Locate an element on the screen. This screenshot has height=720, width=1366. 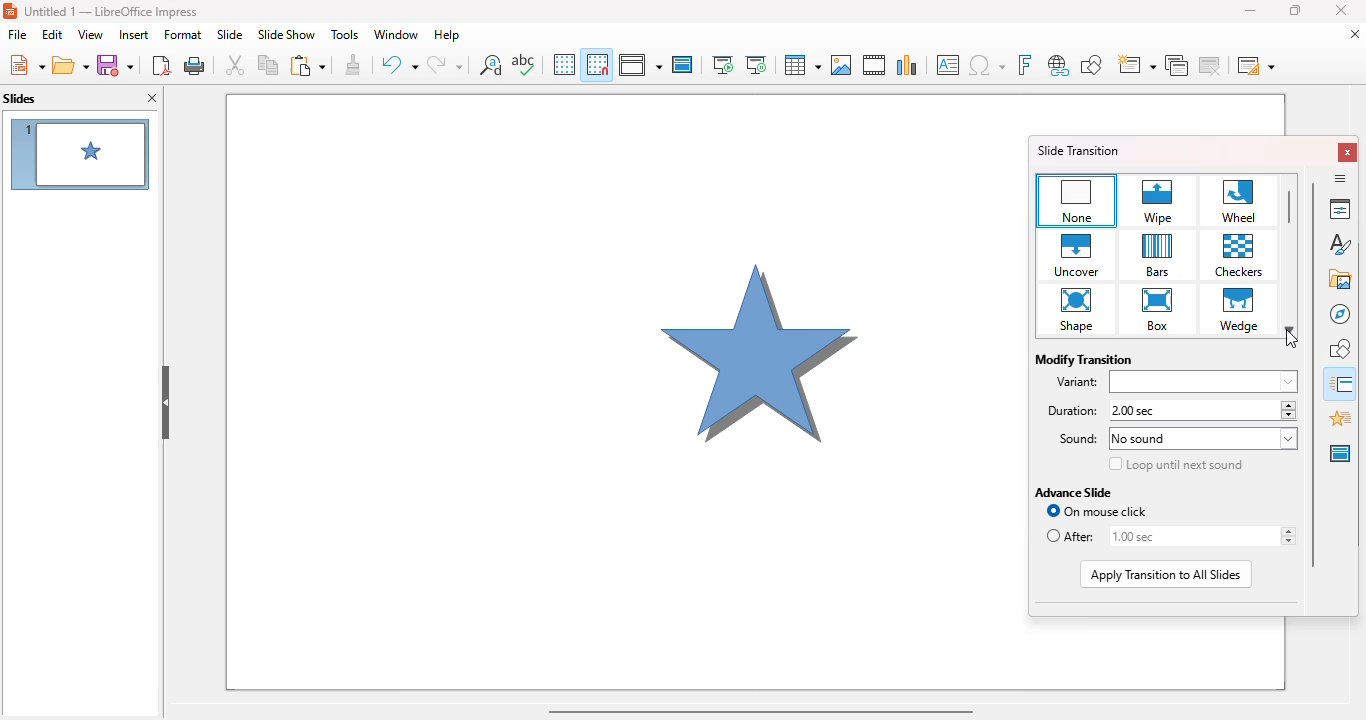
on mouse click is located at coordinates (1094, 511).